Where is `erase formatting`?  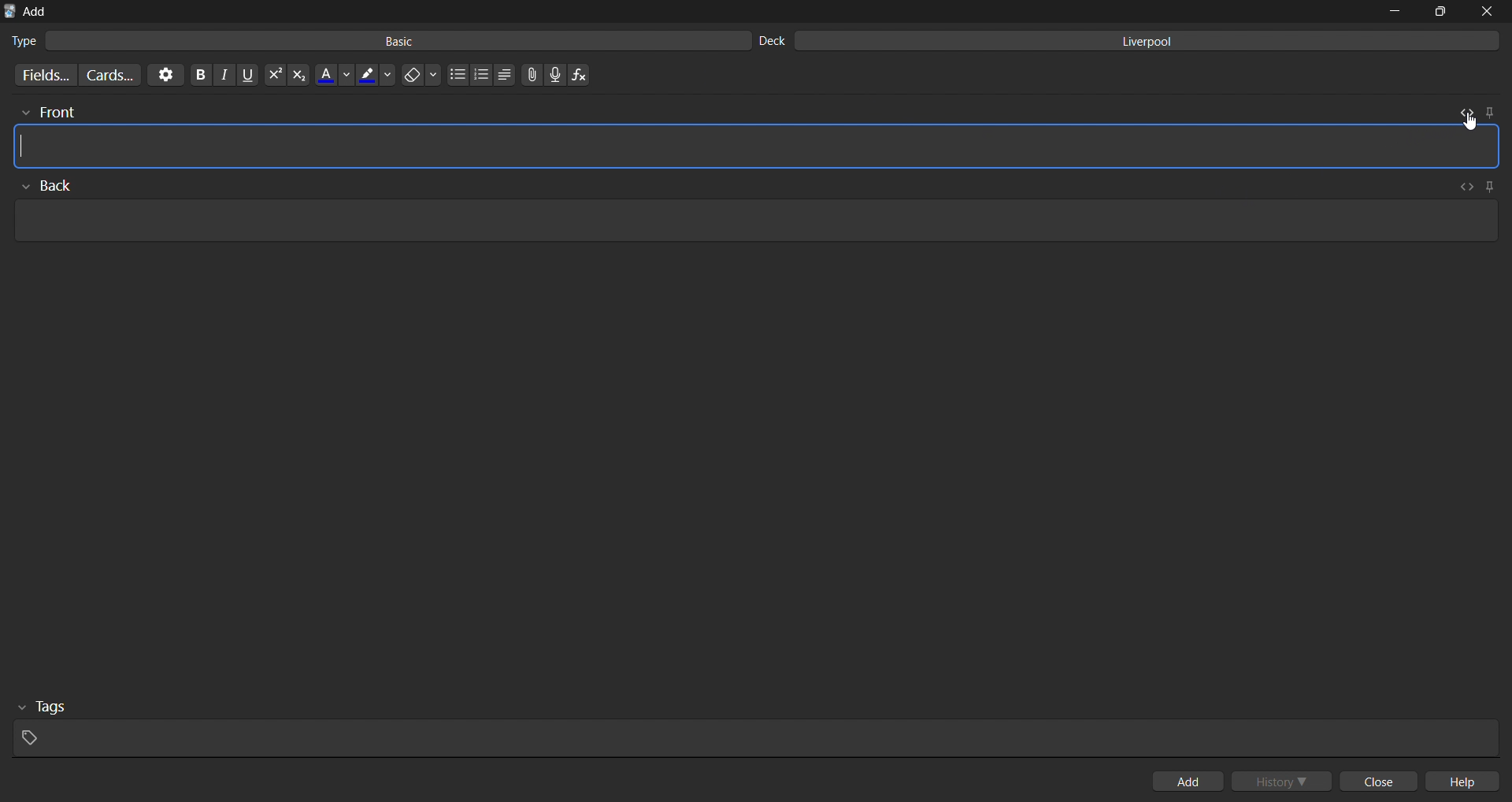 erase formatting is located at coordinates (424, 75).